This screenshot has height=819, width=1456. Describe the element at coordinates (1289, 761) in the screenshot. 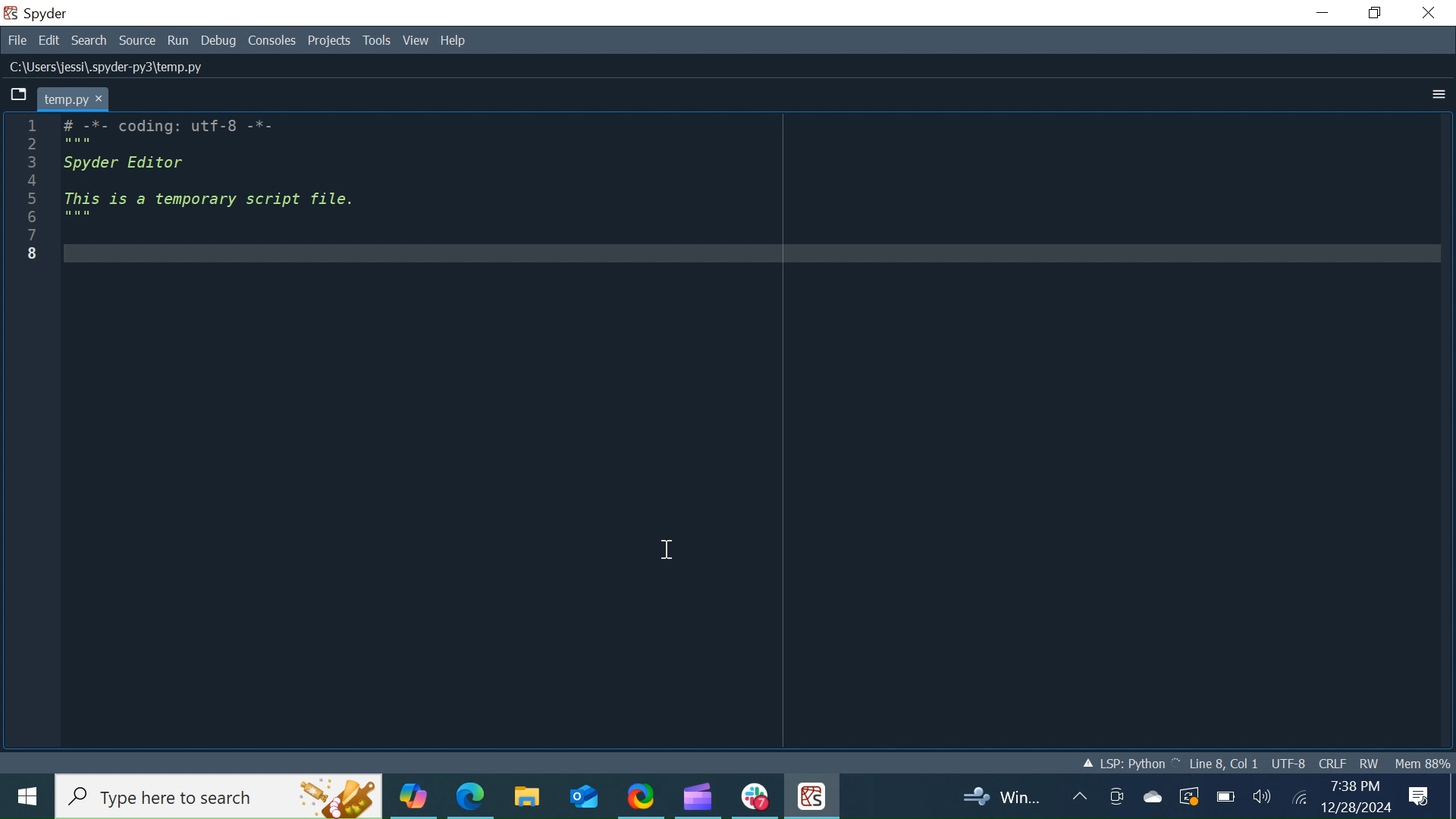

I see `File Encoding` at that location.